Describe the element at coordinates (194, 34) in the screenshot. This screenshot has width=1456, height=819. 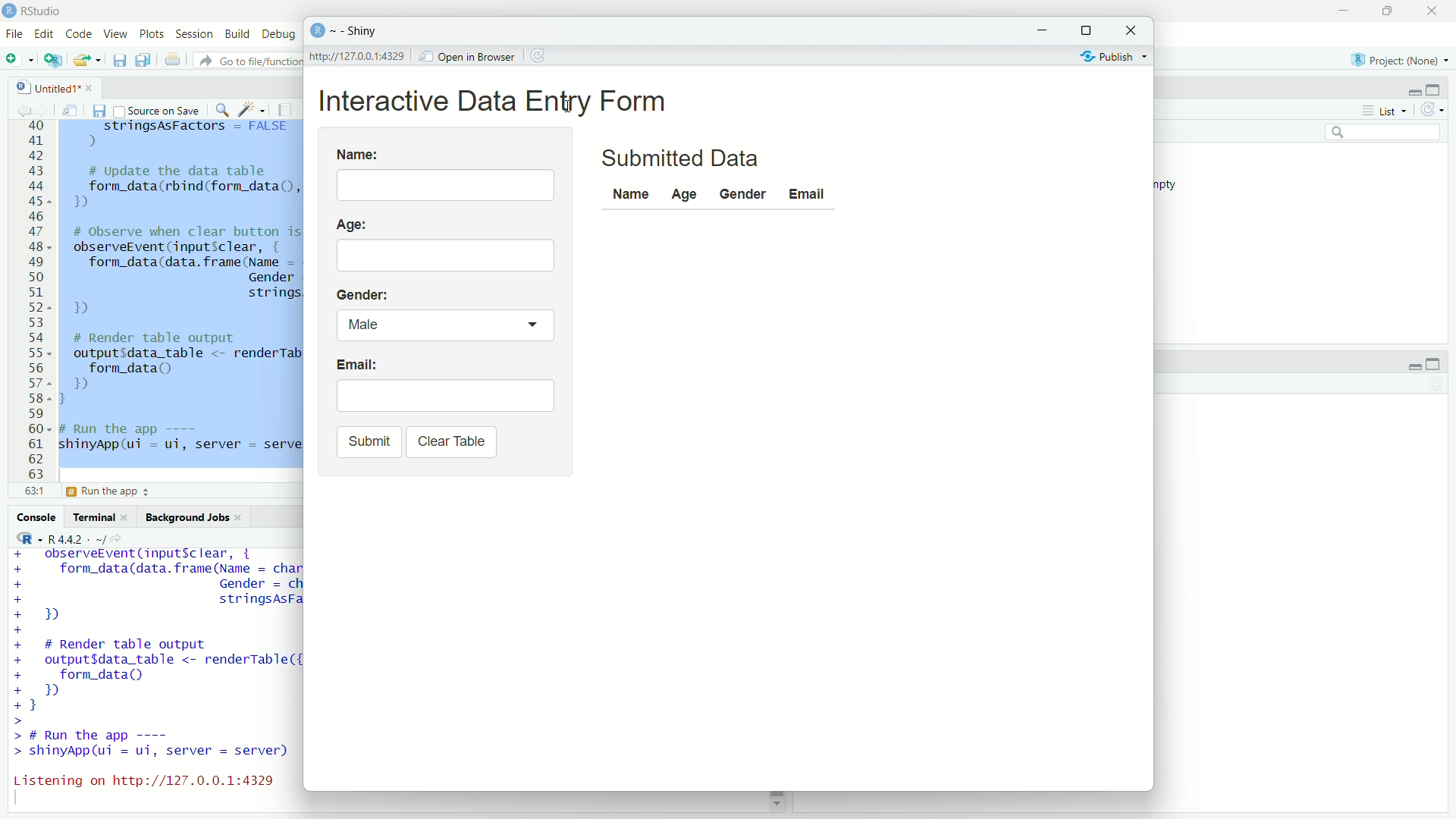
I see `Session` at that location.